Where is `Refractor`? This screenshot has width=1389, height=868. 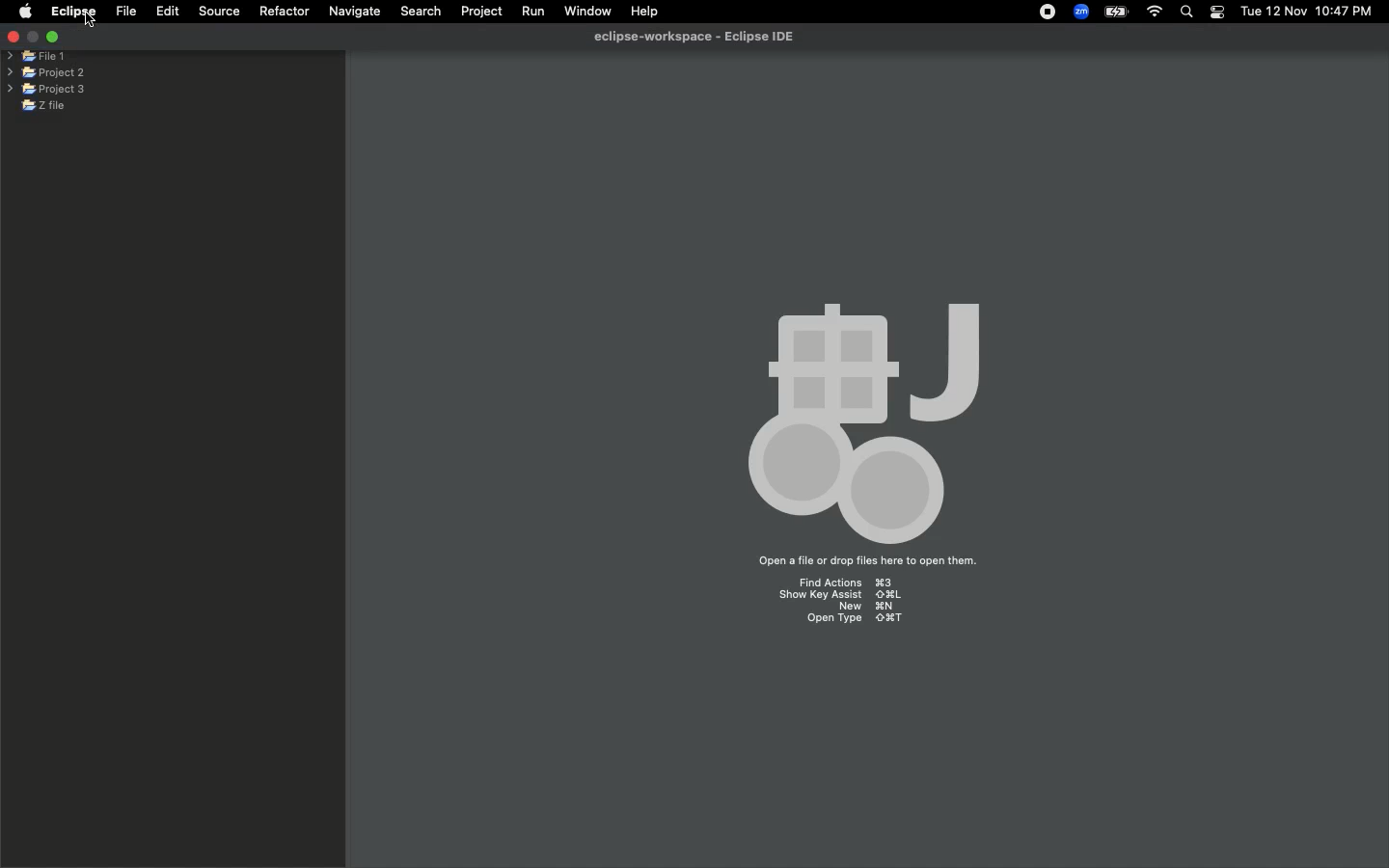
Refractor is located at coordinates (285, 13).